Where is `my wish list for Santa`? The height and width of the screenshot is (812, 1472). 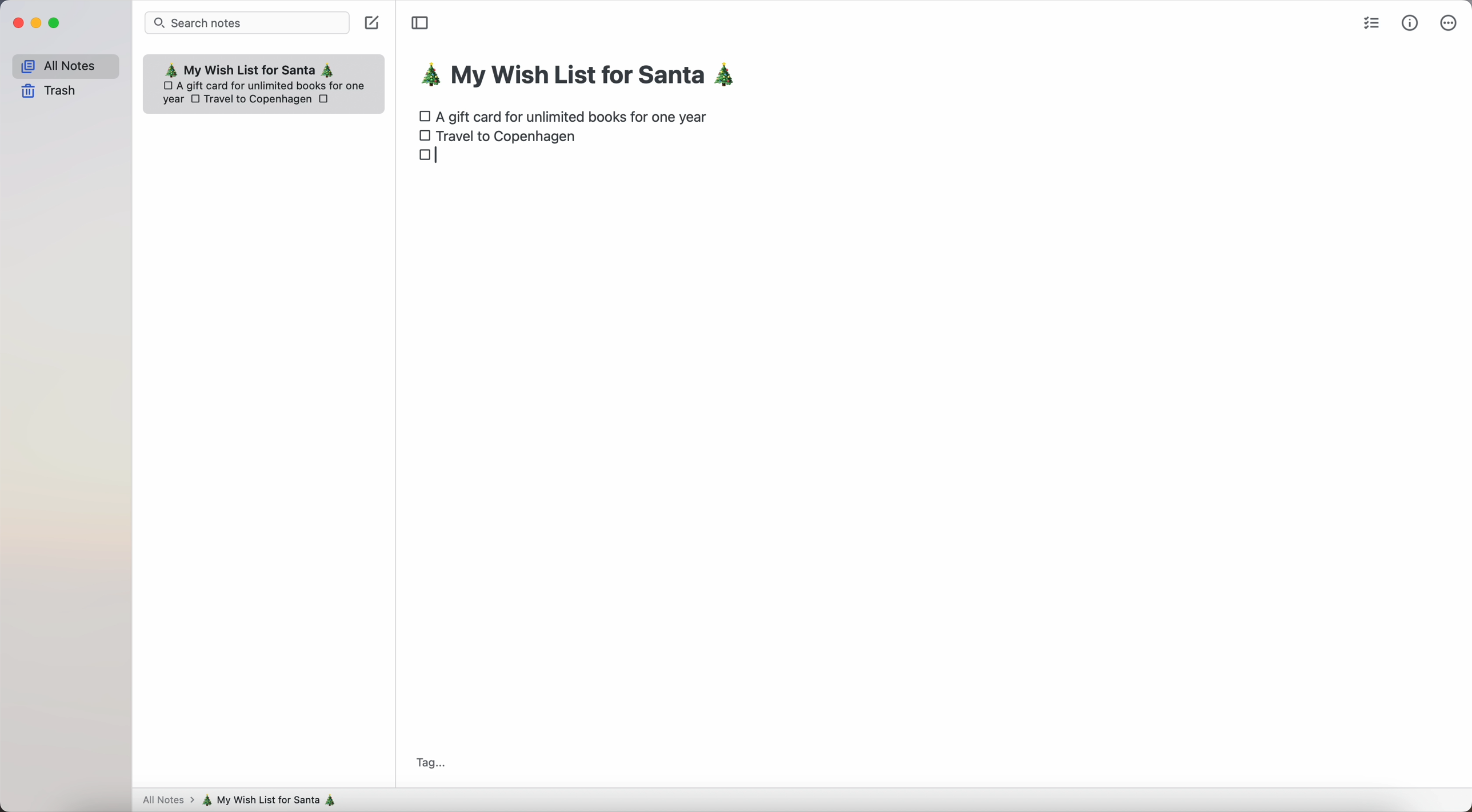 my wish list for Santa is located at coordinates (585, 77).